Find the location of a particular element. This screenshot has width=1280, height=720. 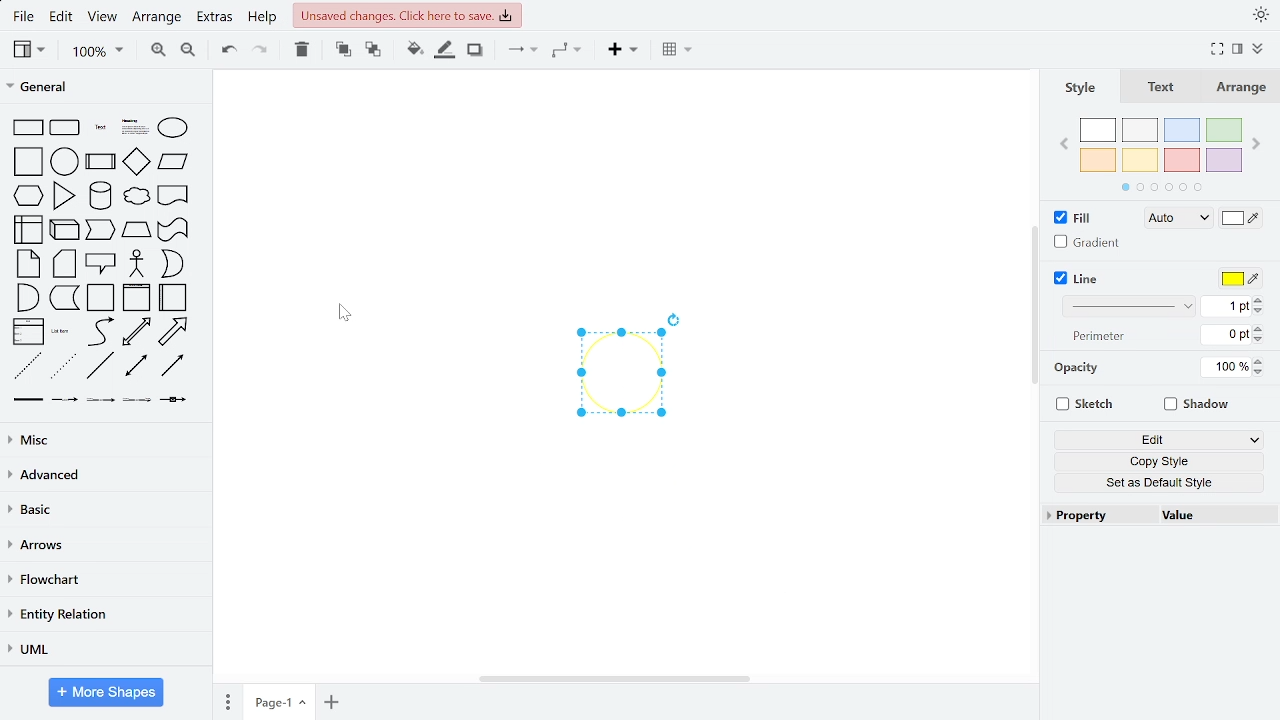

increase perimeter is located at coordinates (1259, 328).